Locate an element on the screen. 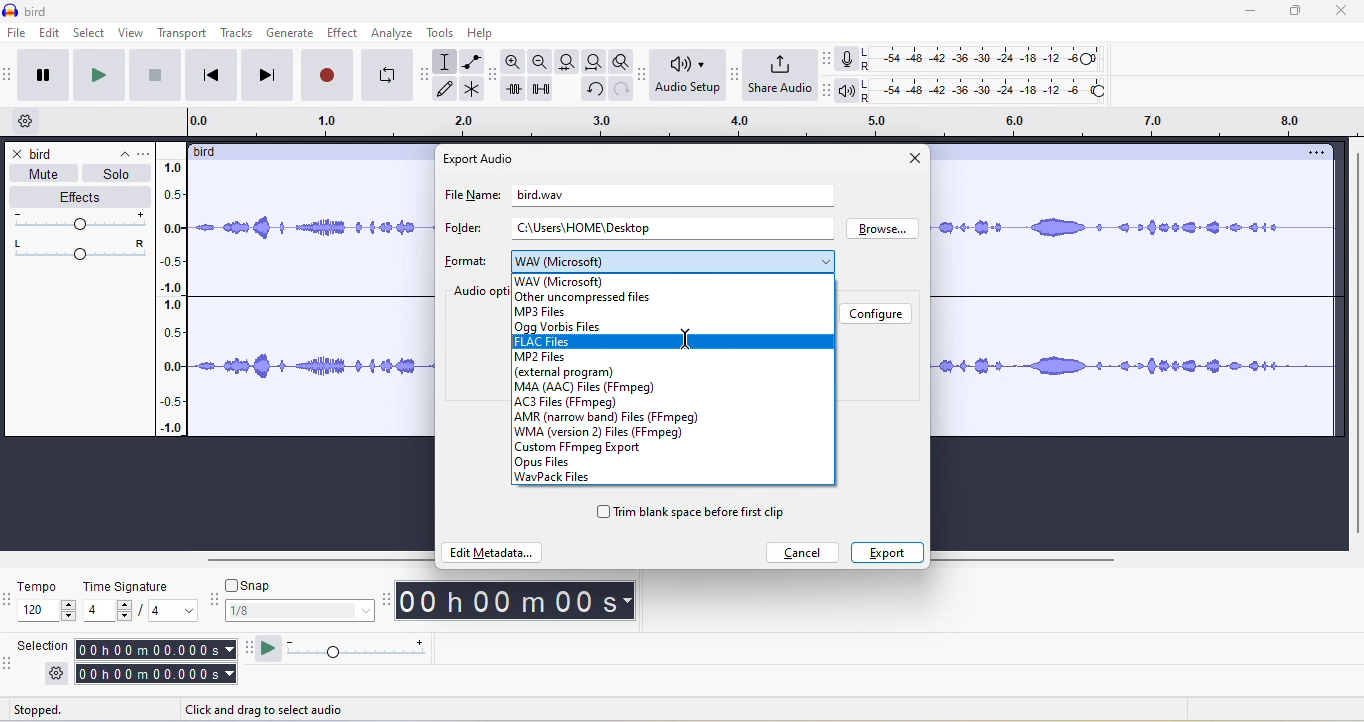 Image resolution: width=1364 pixels, height=722 pixels. close is located at coordinates (1344, 12).